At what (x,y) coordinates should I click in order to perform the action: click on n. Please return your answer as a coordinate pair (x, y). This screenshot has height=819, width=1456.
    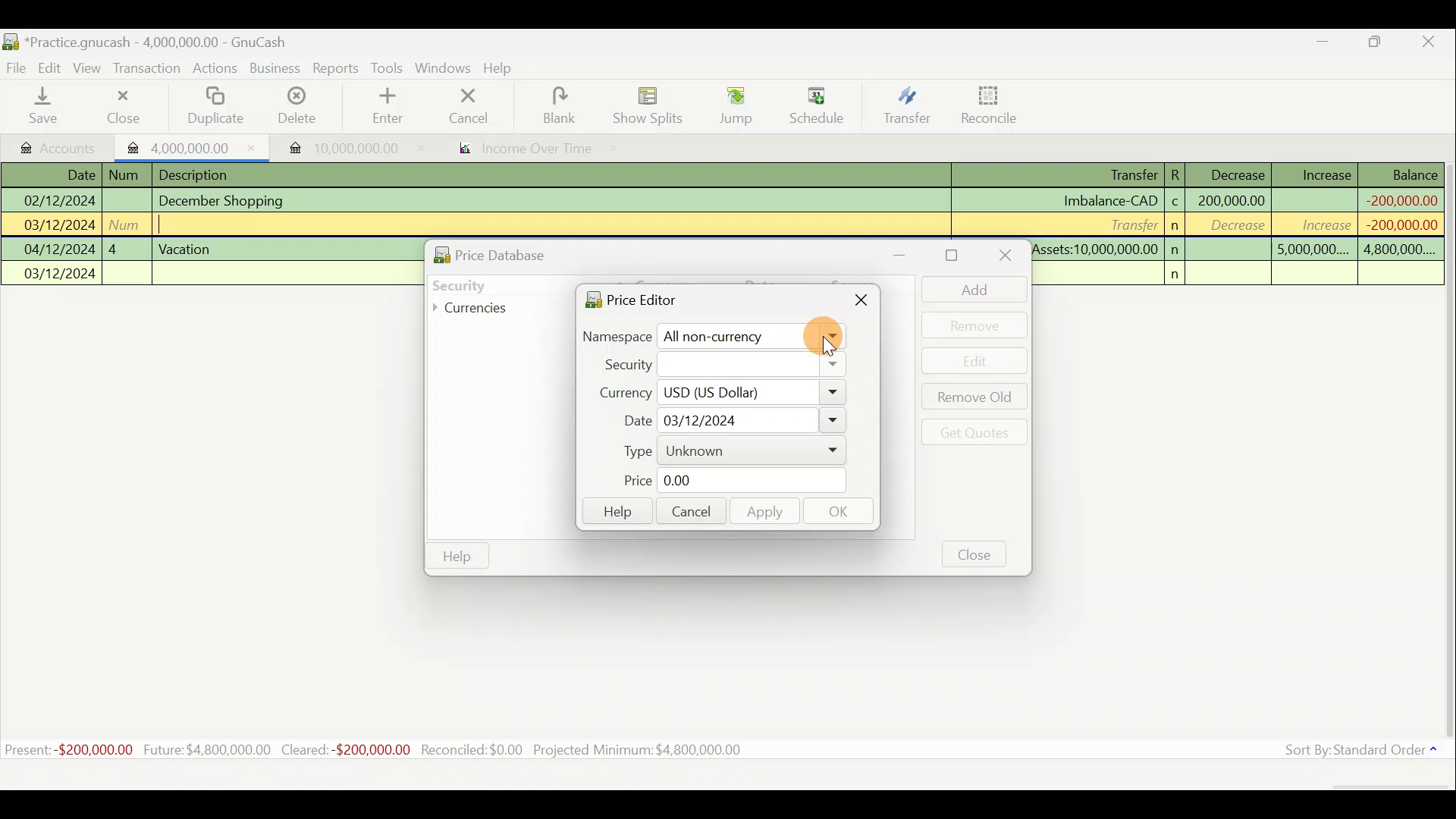
    Looking at the image, I should click on (1177, 226).